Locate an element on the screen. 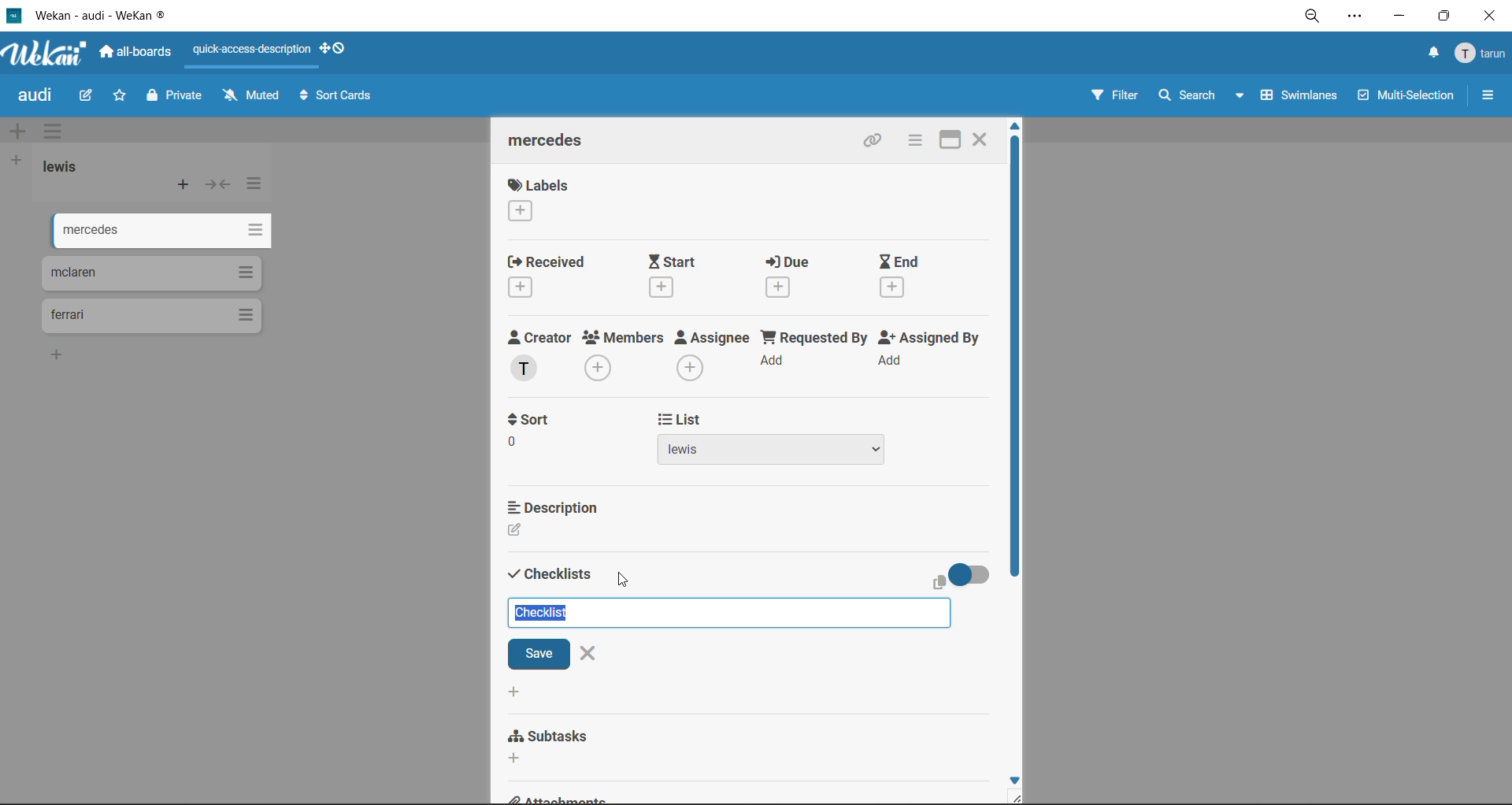  card actions is located at coordinates (912, 142).